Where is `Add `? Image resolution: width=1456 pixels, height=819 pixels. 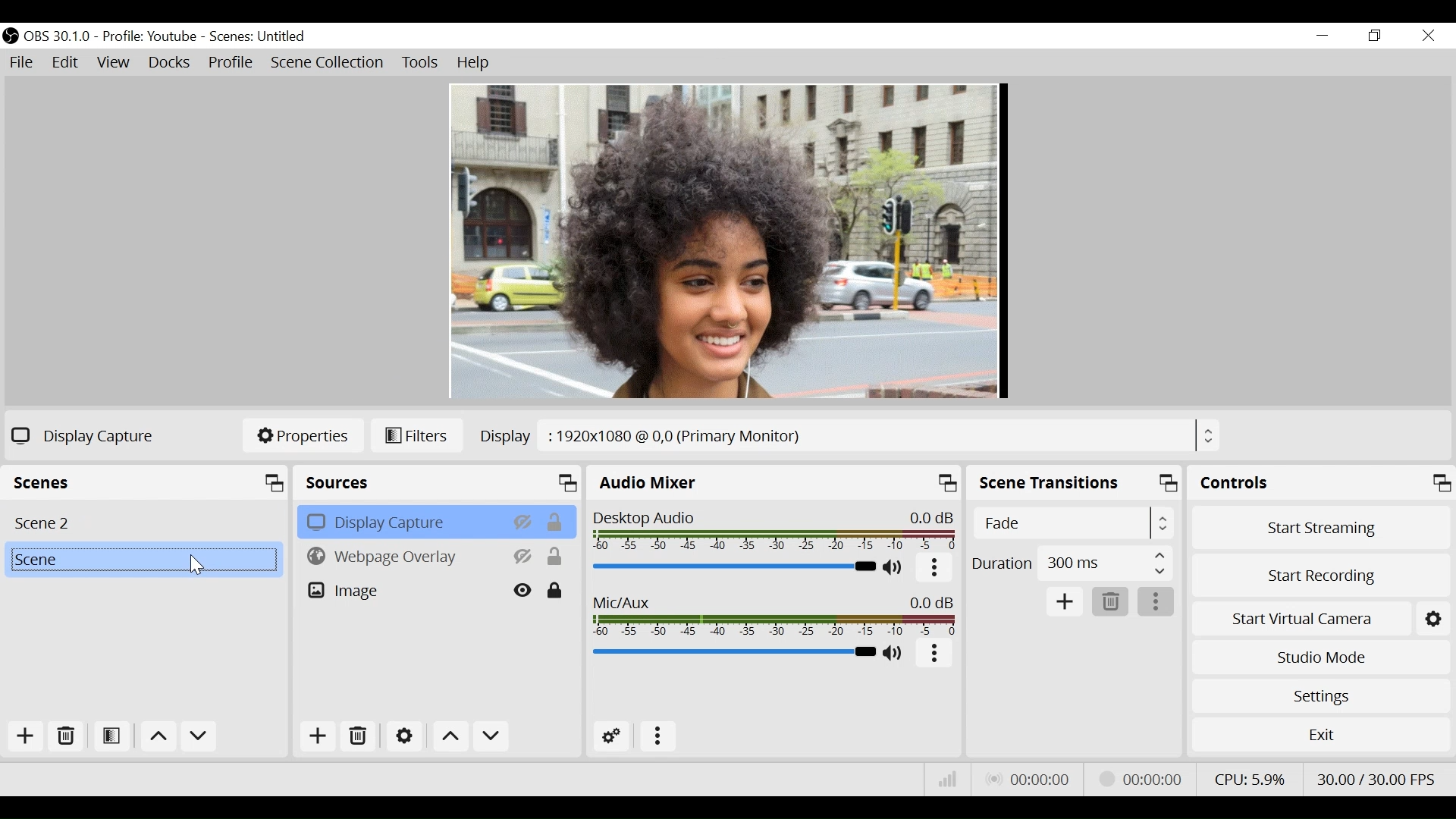
Add  is located at coordinates (1064, 600).